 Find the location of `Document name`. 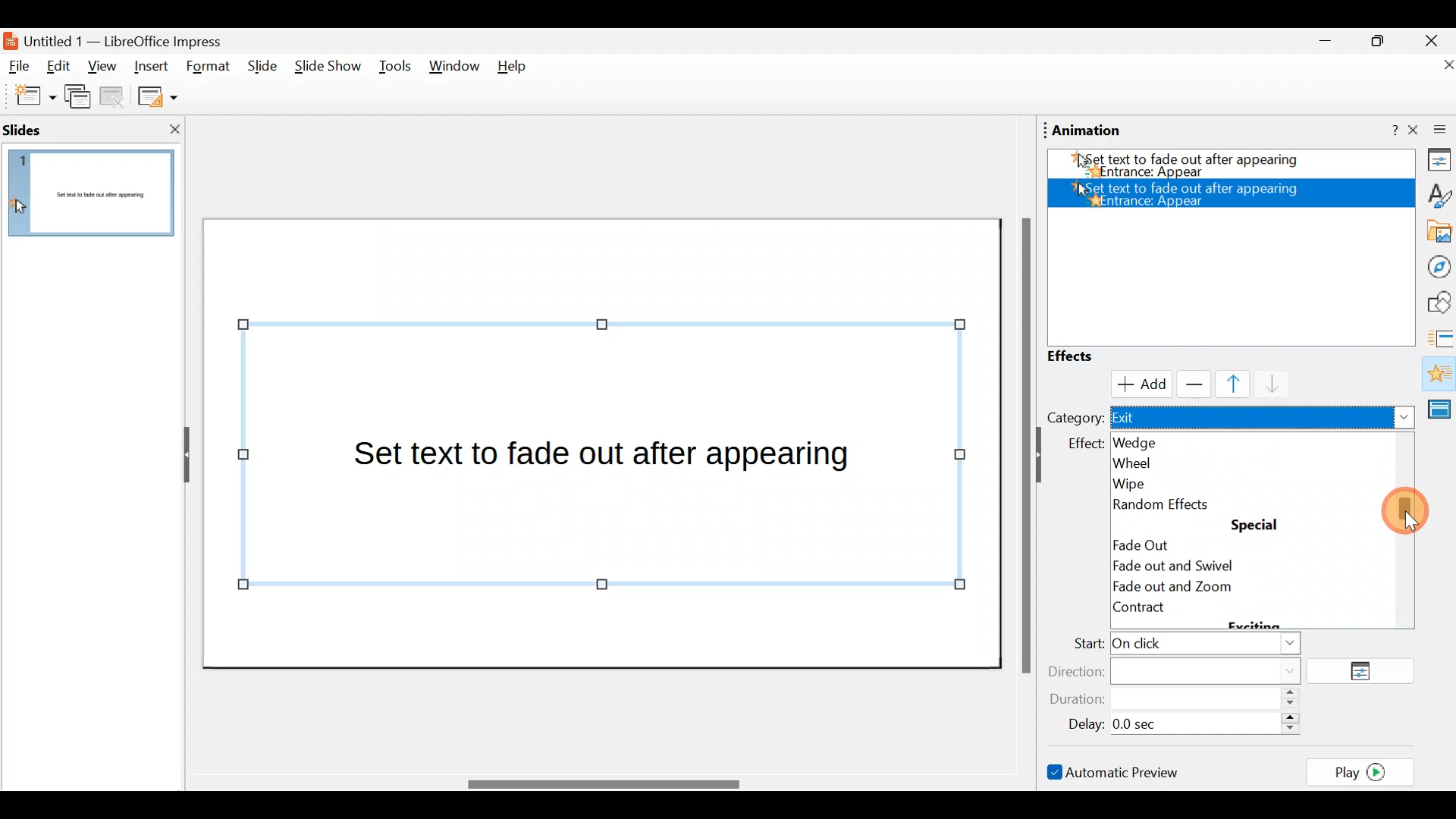

Document name is located at coordinates (124, 39).